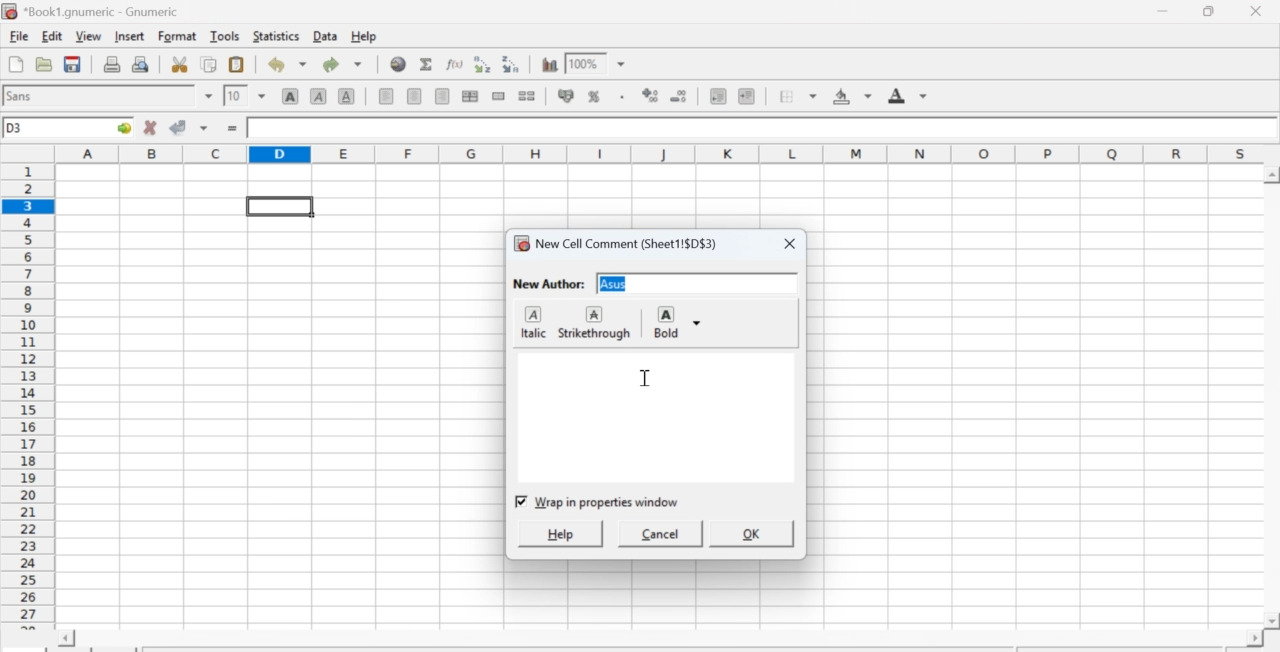  What do you see at coordinates (549, 284) in the screenshot?
I see `New Author:` at bounding box center [549, 284].